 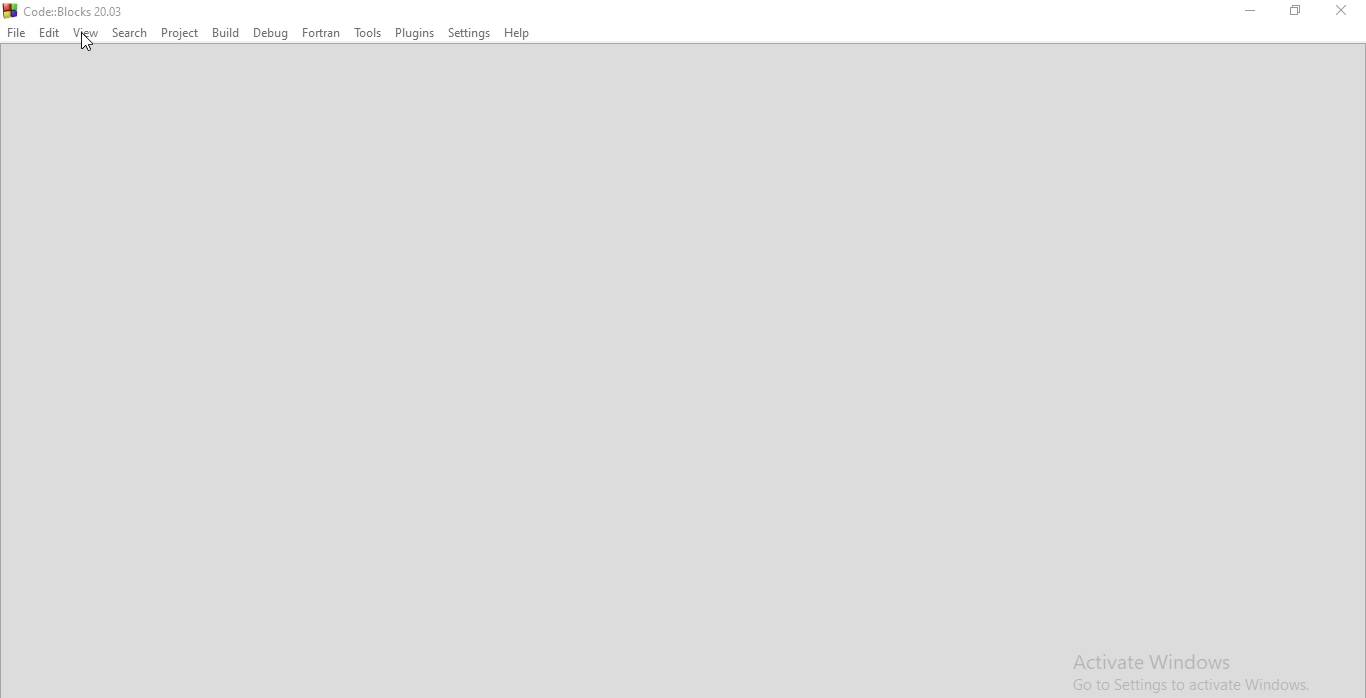 I want to click on File, so click(x=16, y=32).